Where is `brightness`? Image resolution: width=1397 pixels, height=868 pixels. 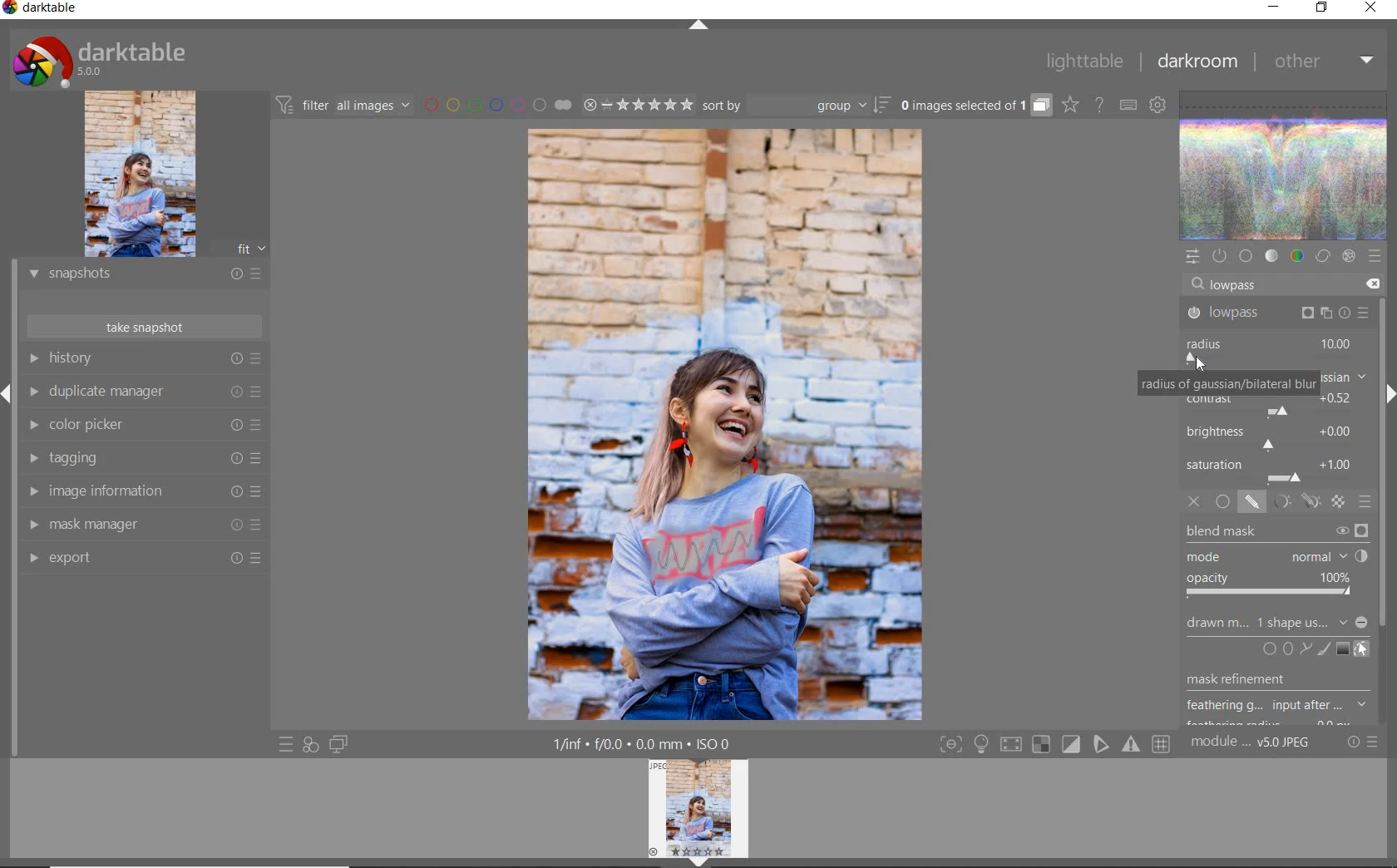 brightness is located at coordinates (1275, 436).